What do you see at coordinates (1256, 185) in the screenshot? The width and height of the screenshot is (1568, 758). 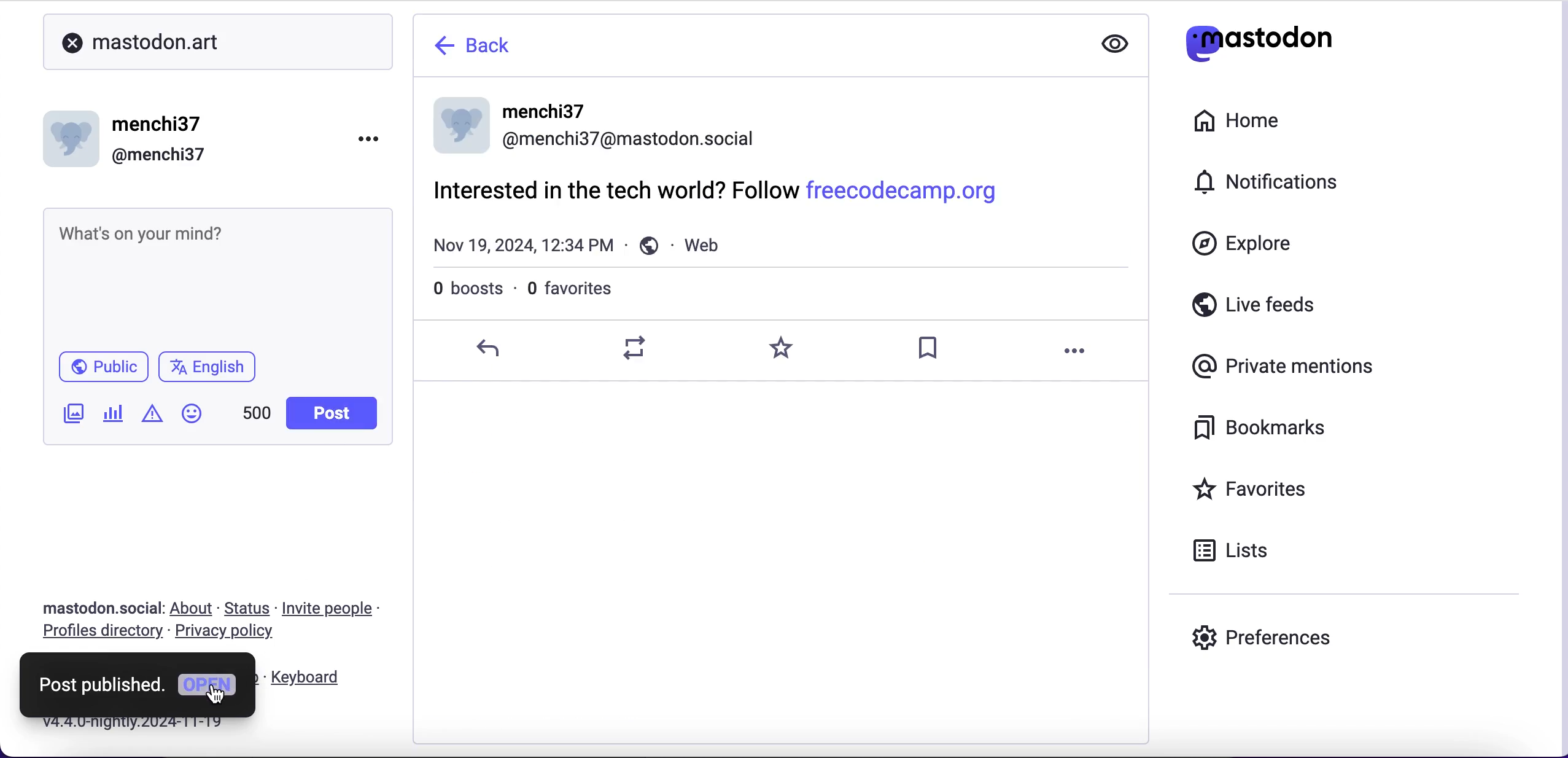 I see `notifications` at bounding box center [1256, 185].